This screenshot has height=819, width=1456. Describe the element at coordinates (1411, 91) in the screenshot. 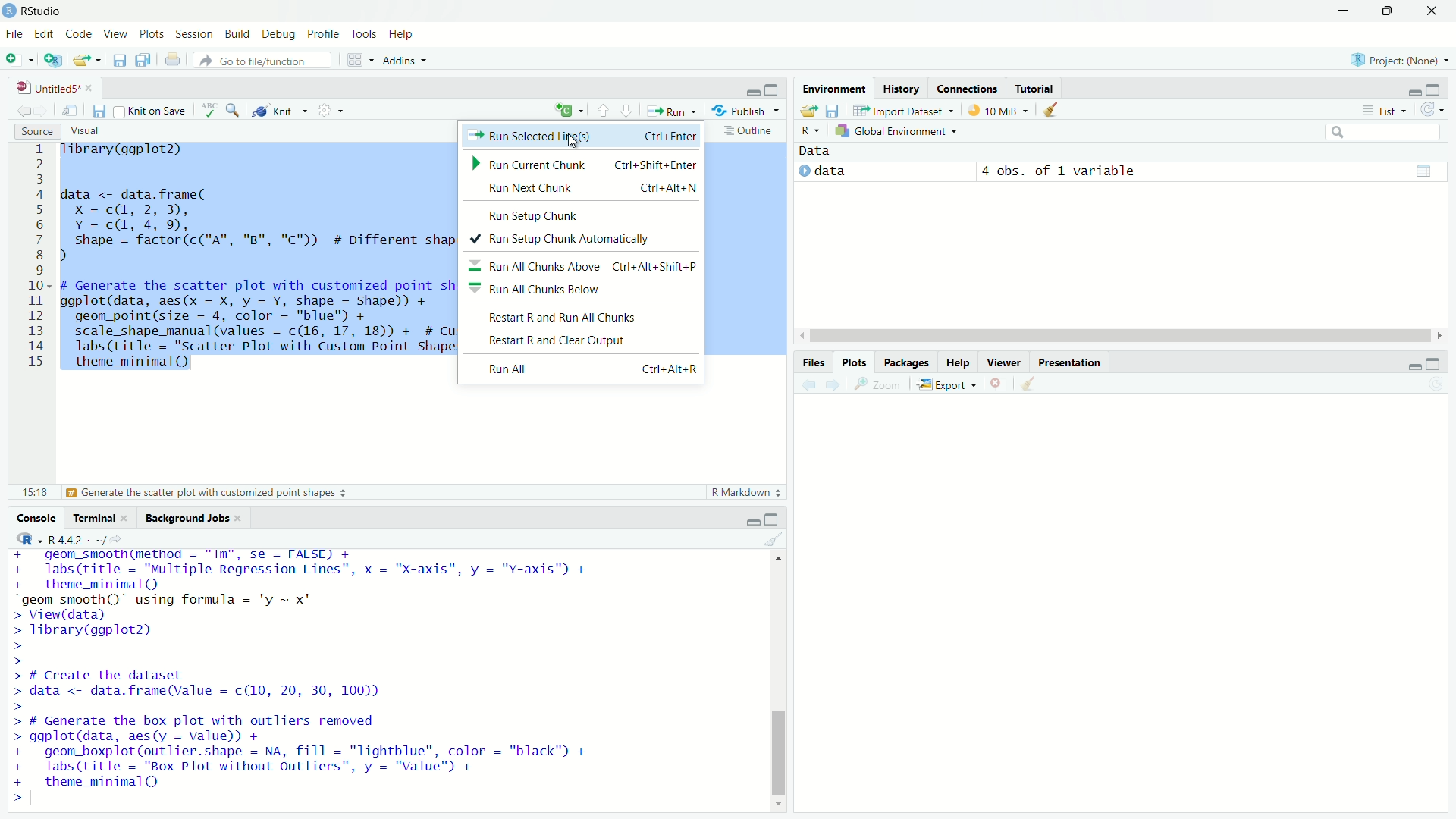

I see `minimize` at that location.